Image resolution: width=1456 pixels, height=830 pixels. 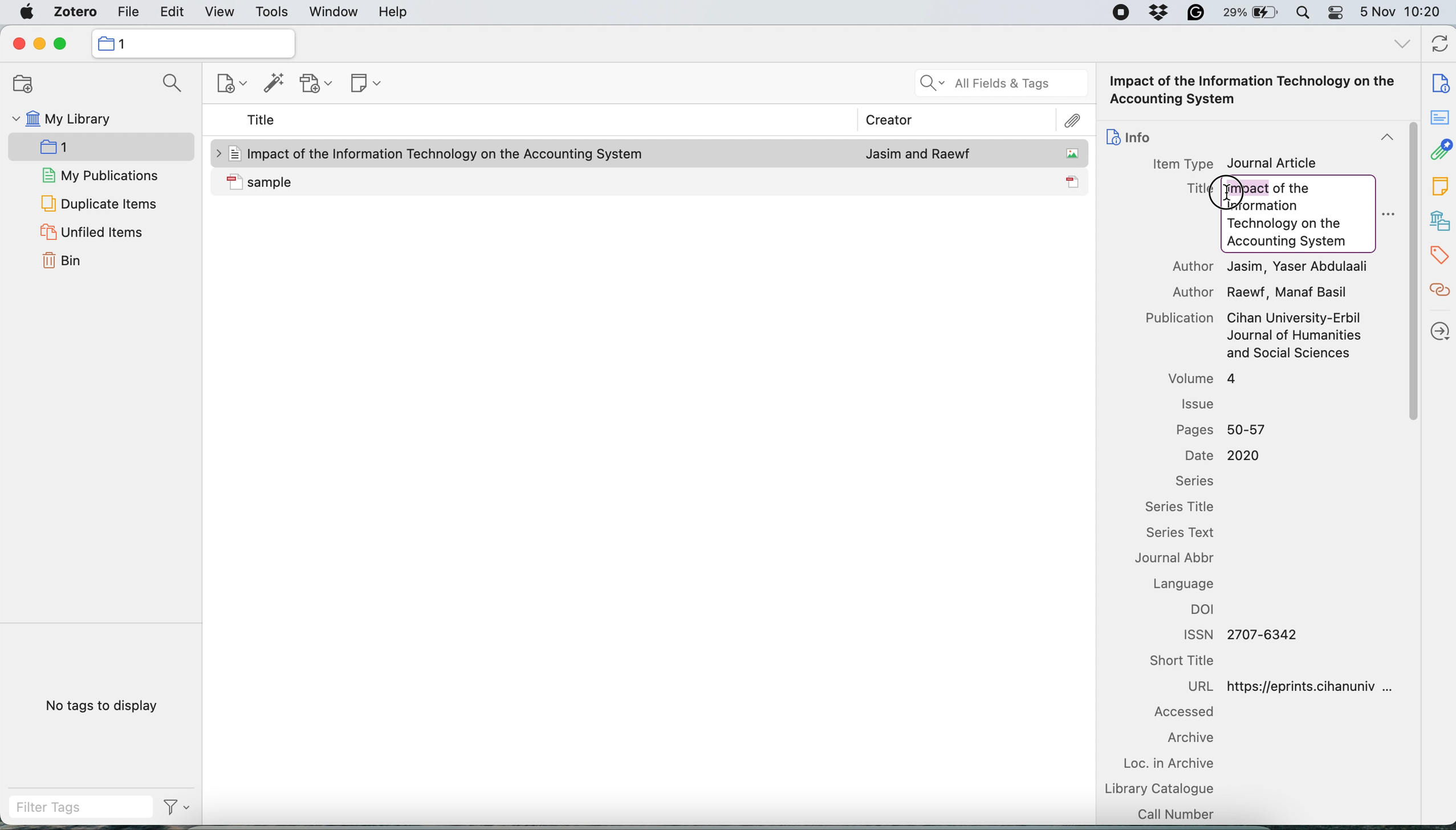 I want to click on sample, so click(x=448, y=181).